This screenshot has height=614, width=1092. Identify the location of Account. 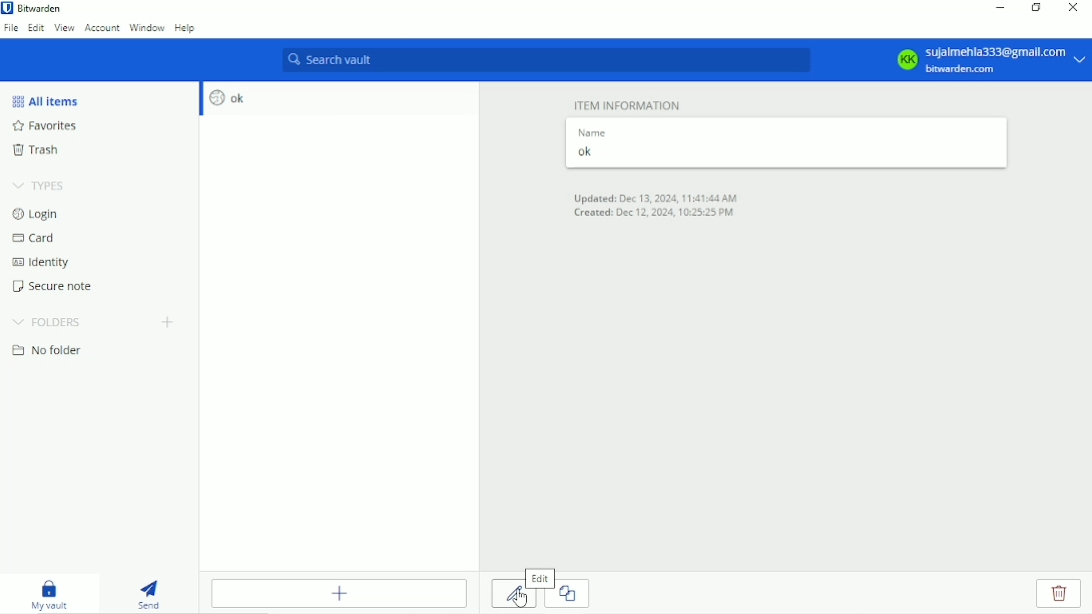
(986, 58).